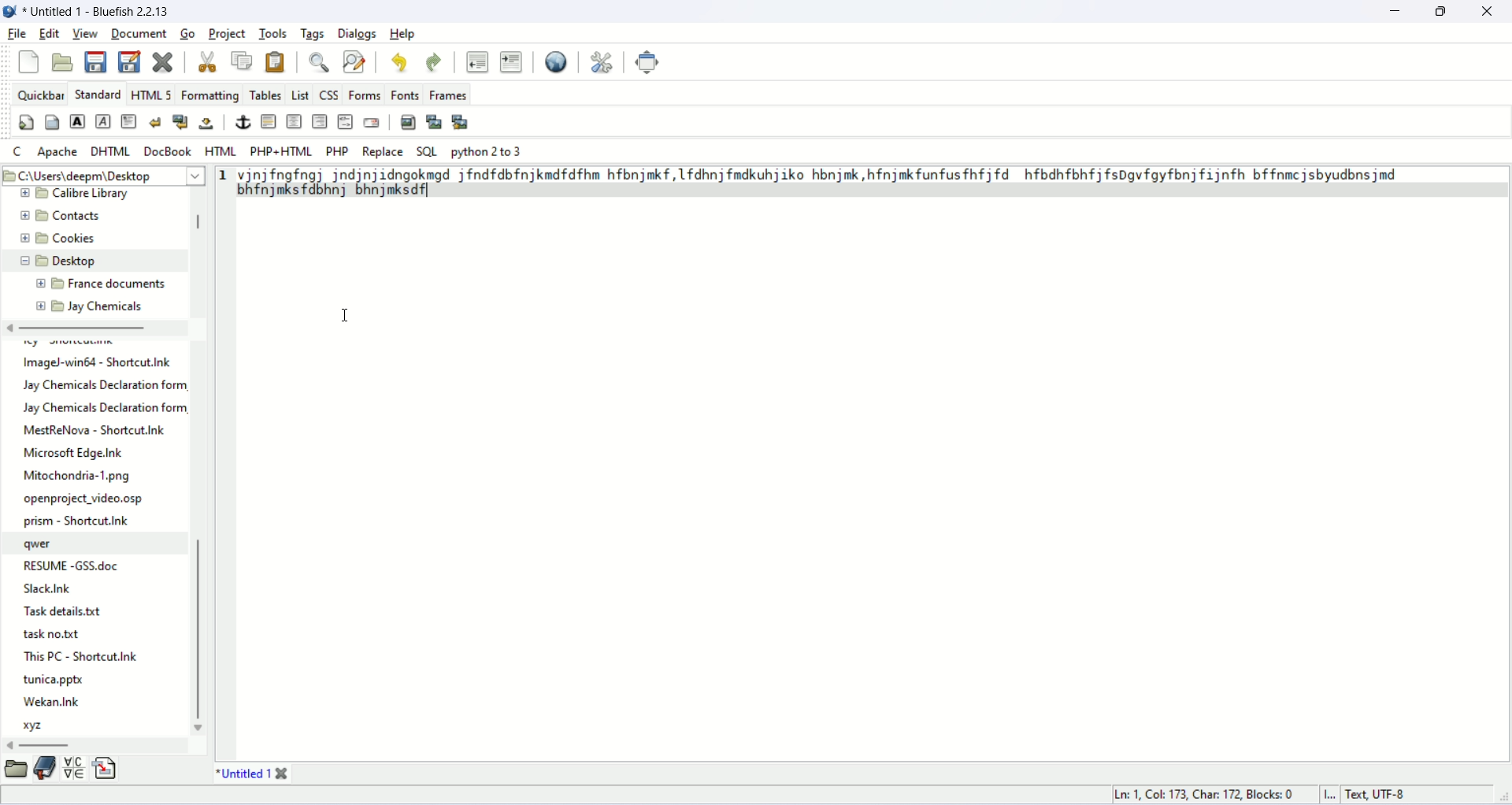 The height and width of the screenshot is (805, 1512). What do you see at coordinates (474, 60) in the screenshot?
I see `unindent` at bounding box center [474, 60].